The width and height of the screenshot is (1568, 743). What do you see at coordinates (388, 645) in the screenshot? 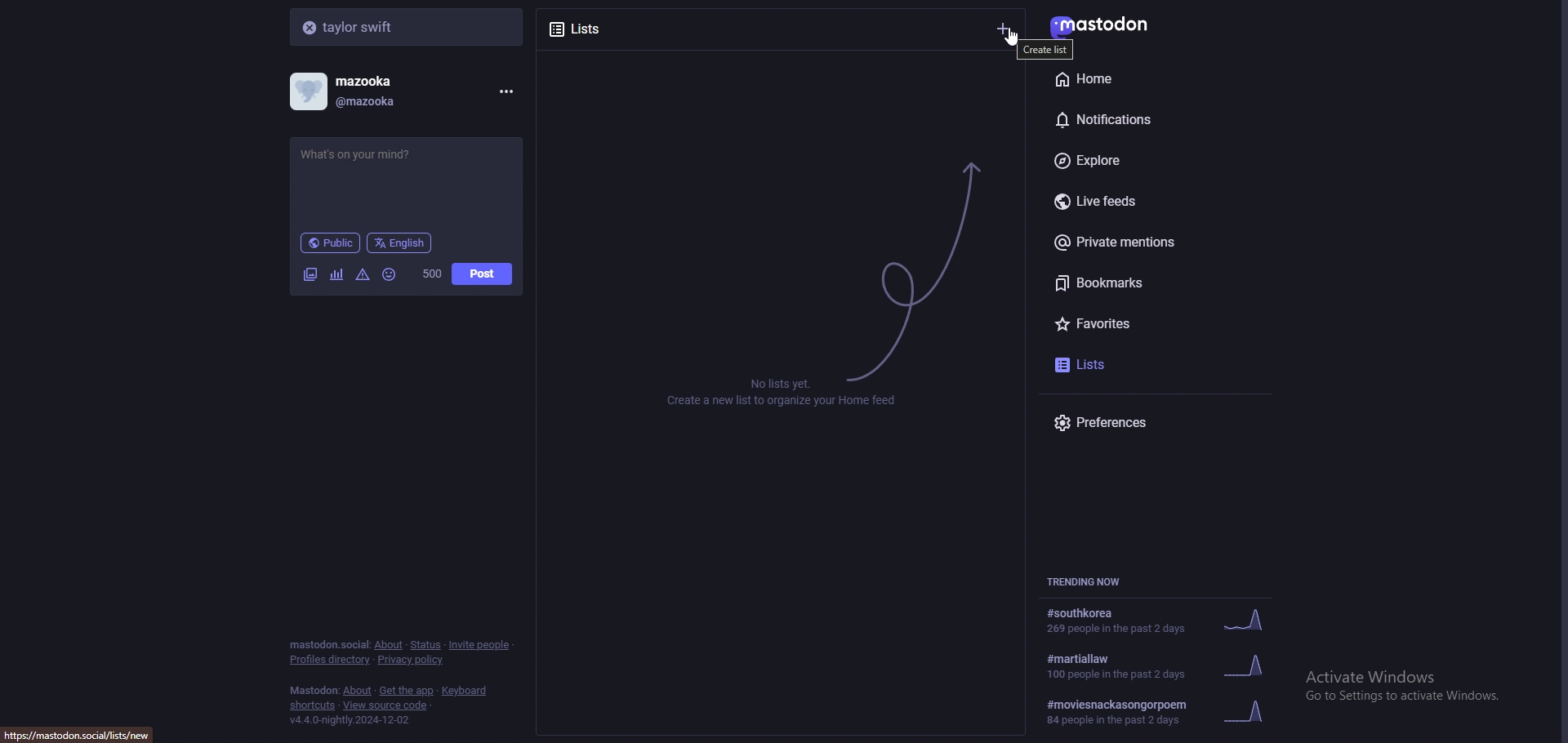
I see `about` at bounding box center [388, 645].